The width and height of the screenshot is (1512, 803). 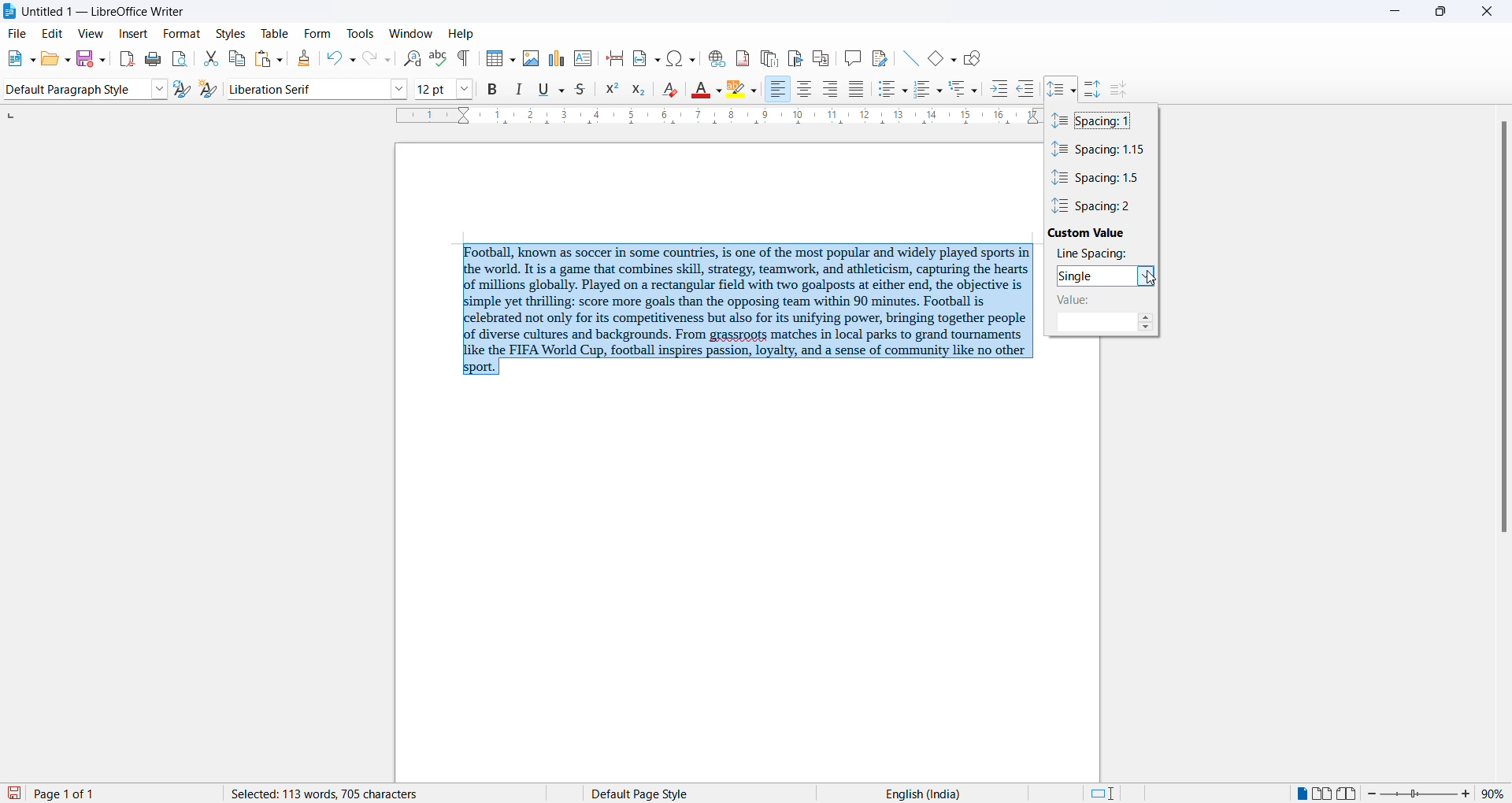 I want to click on standard selection, so click(x=1105, y=794).